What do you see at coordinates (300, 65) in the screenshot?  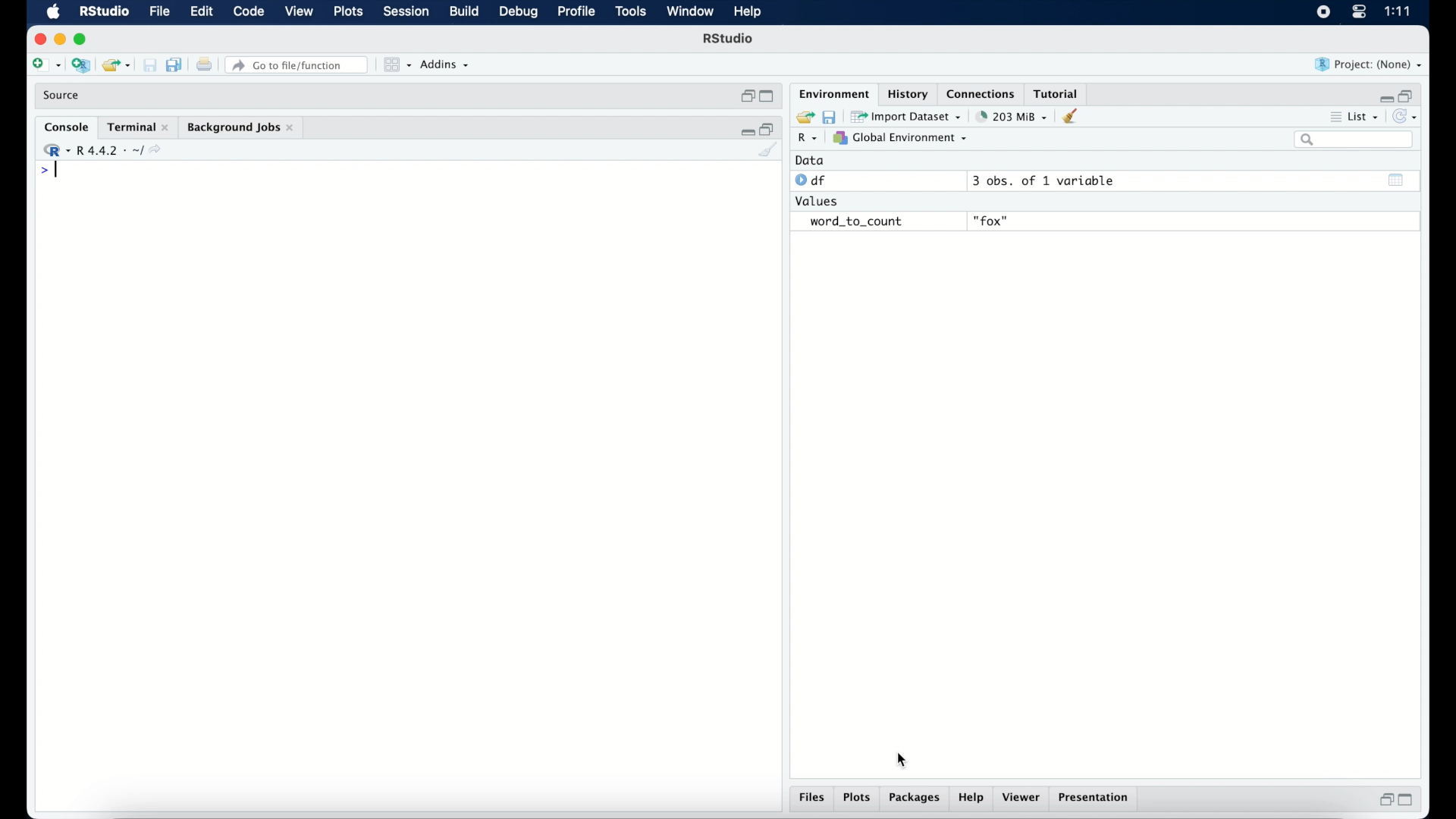 I see `go to file/function` at bounding box center [300, 65].